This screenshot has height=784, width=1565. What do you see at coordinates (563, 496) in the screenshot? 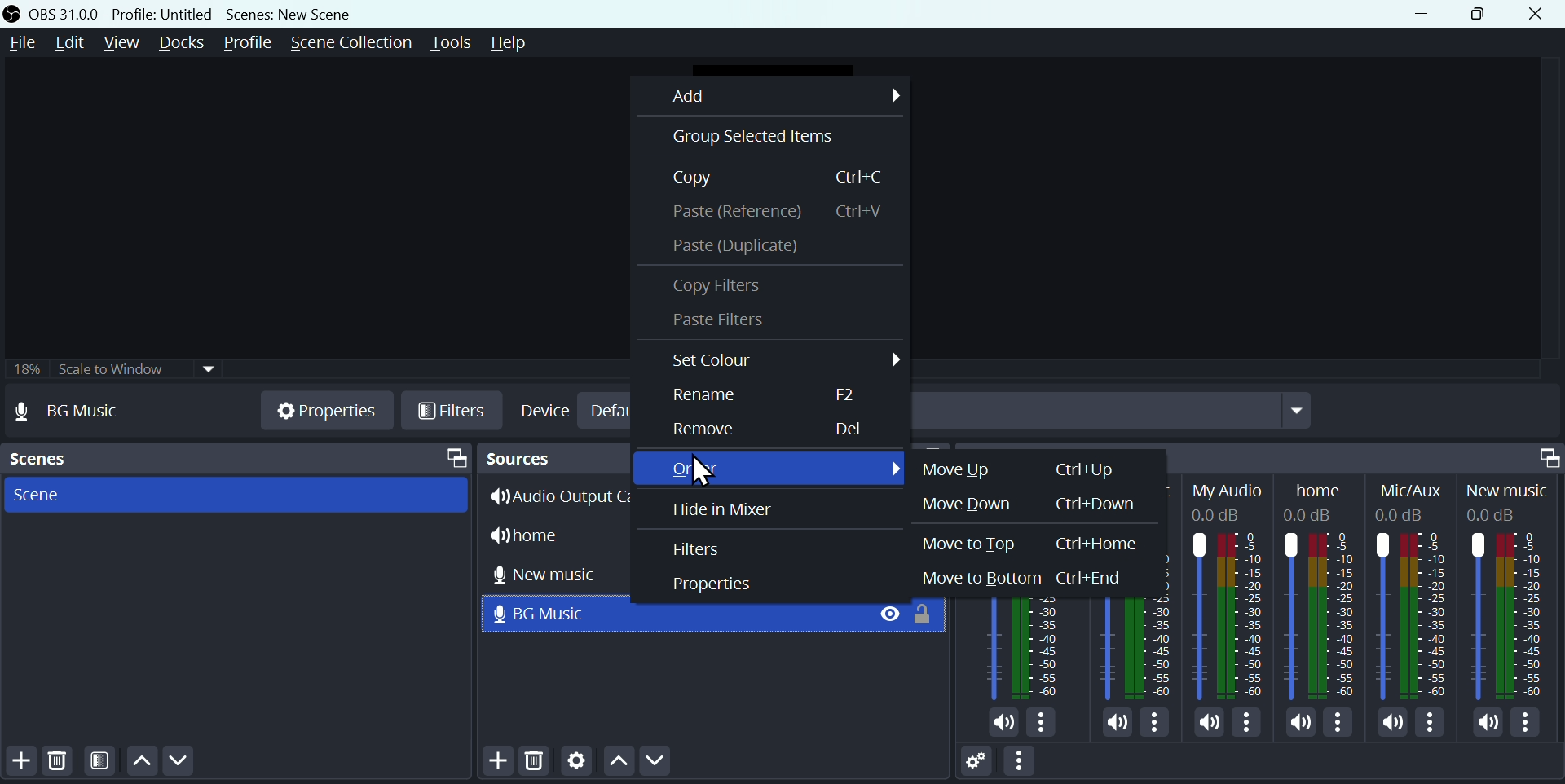
I see `Audio output capture` at bounding box center [563, 496].